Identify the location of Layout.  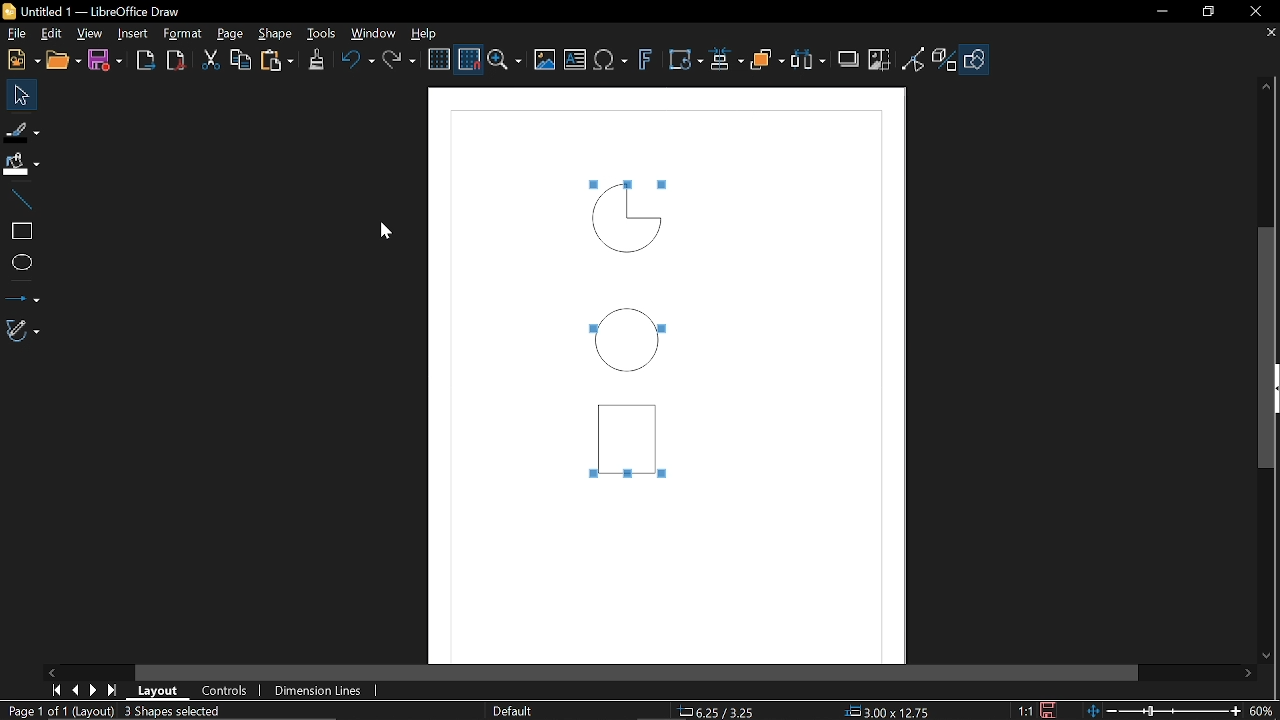
(158, 691).